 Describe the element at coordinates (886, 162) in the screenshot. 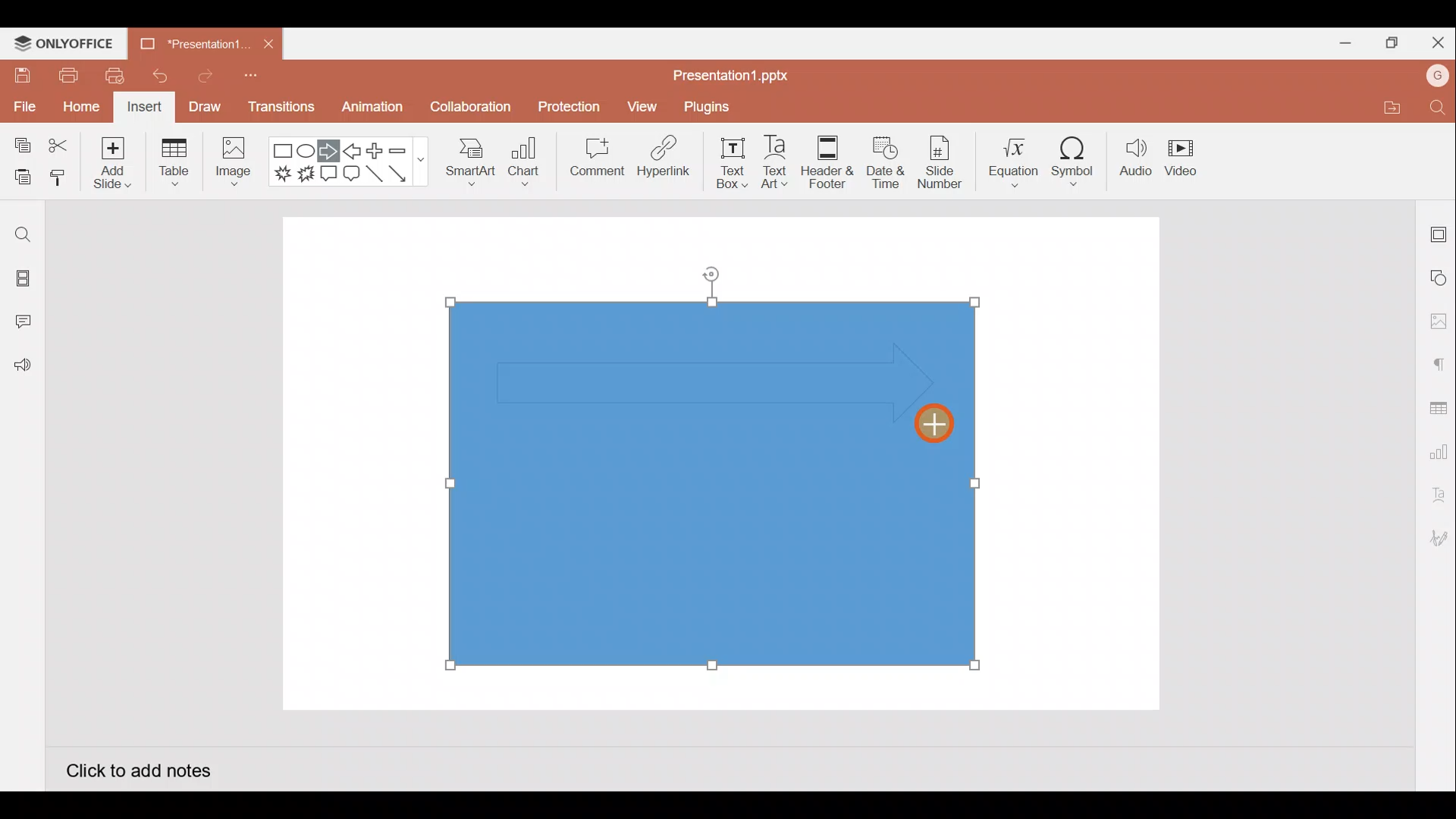

I see `Date & time` at that location.